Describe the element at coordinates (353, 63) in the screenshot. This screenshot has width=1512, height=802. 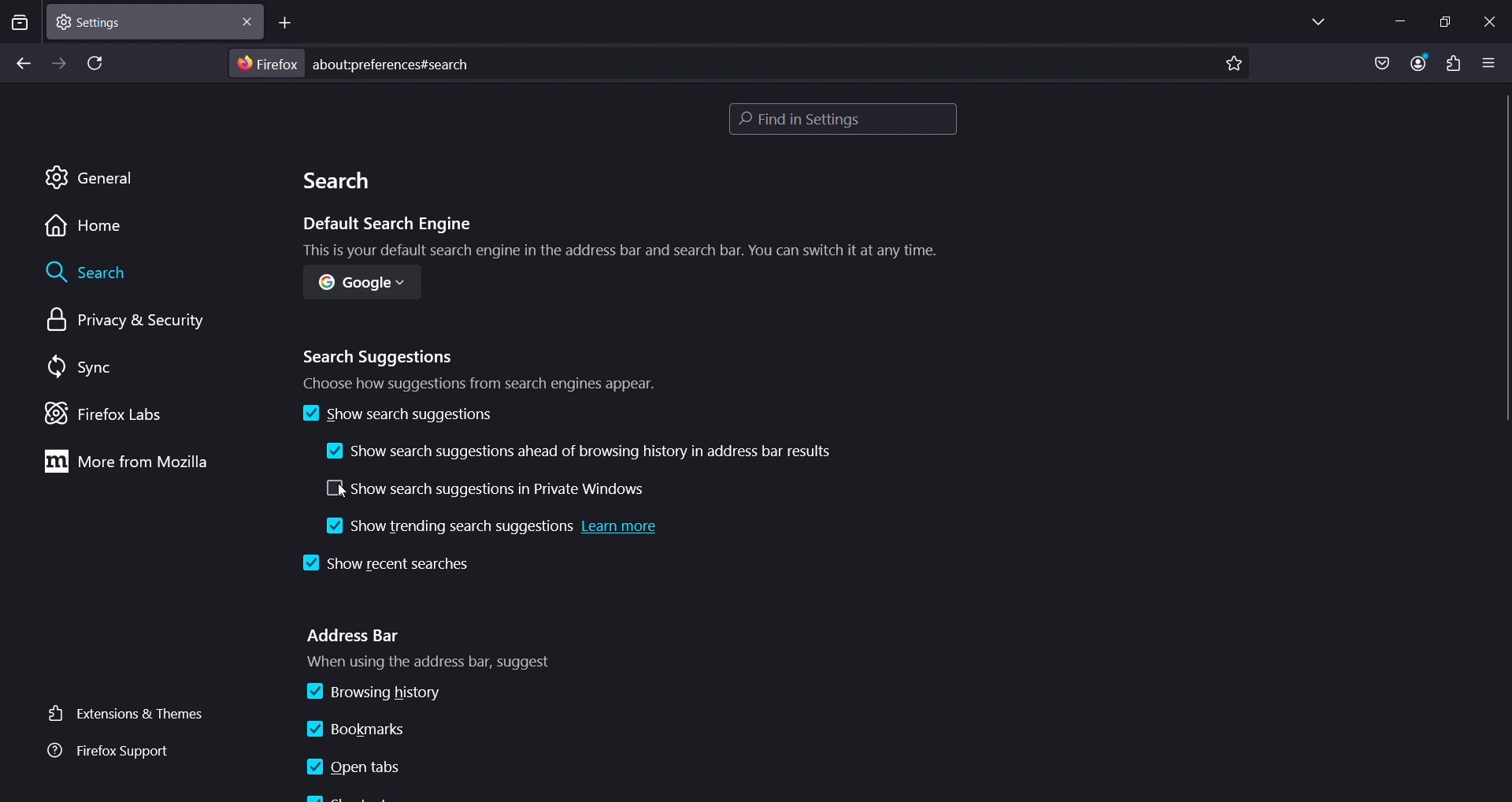
I see `text` at that location.